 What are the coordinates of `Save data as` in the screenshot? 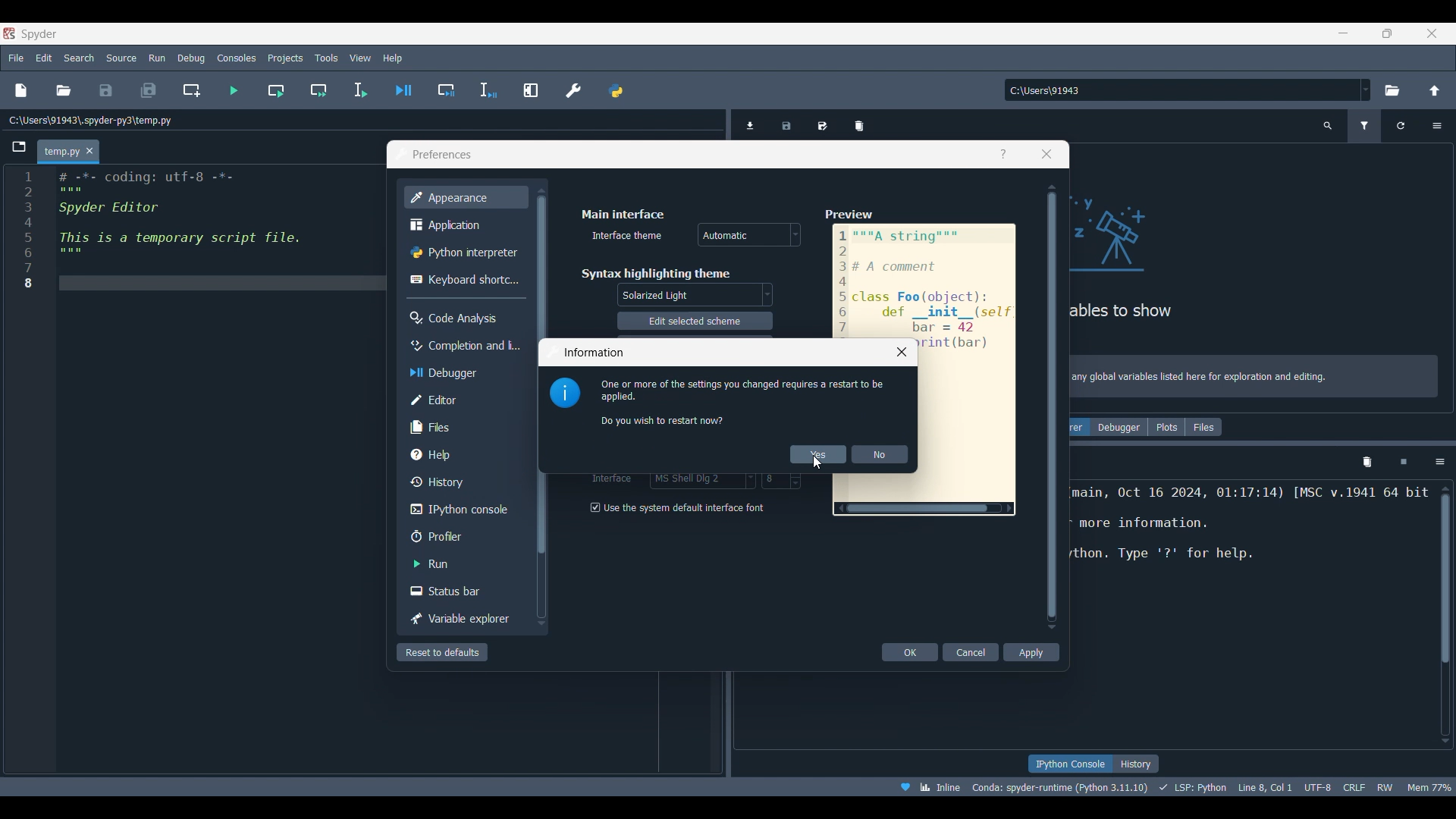 It's located at (822, 121).